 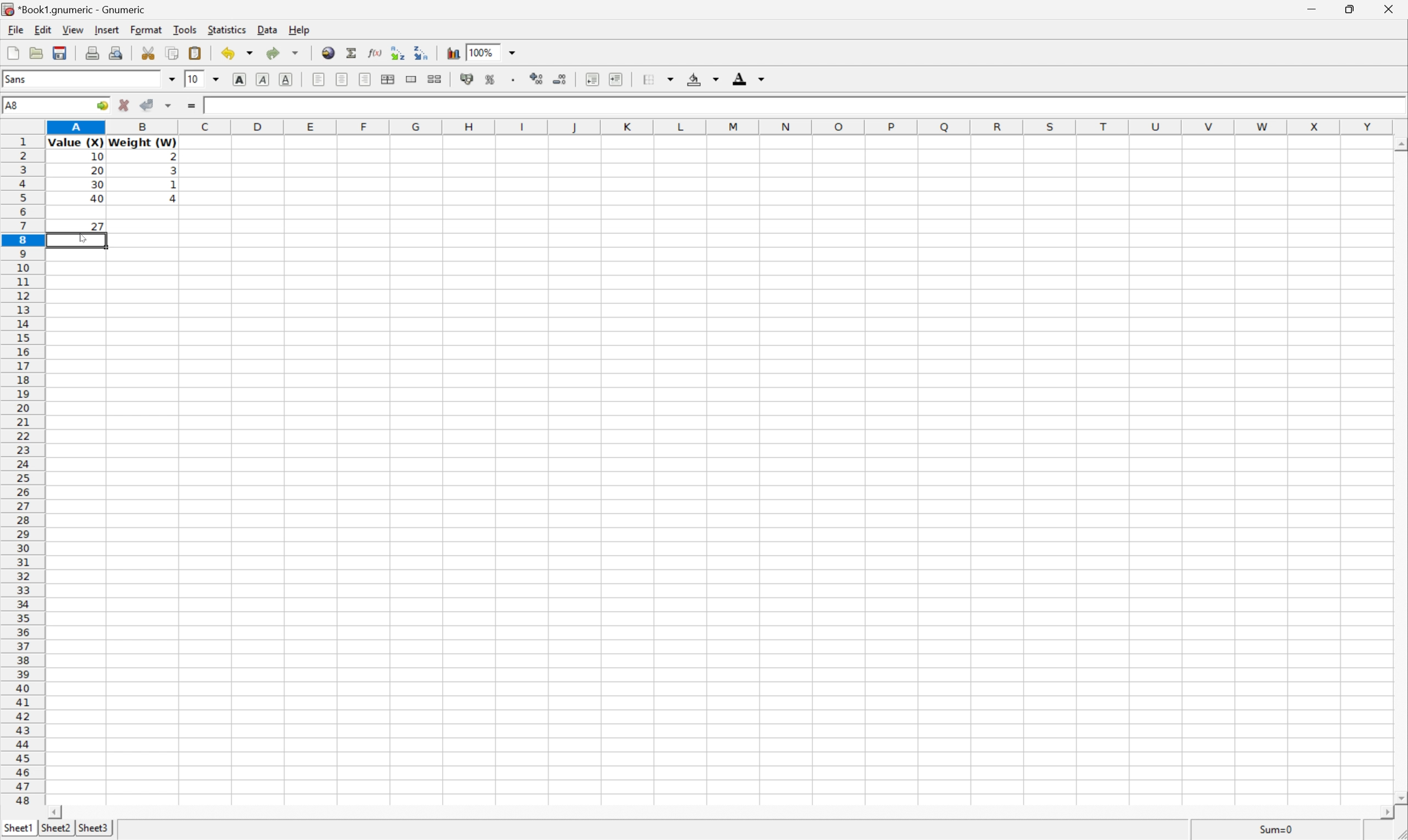 What do you see at coordinates (177, 156) in the screenshot?
I see `2` at bounding box center [177, 156].